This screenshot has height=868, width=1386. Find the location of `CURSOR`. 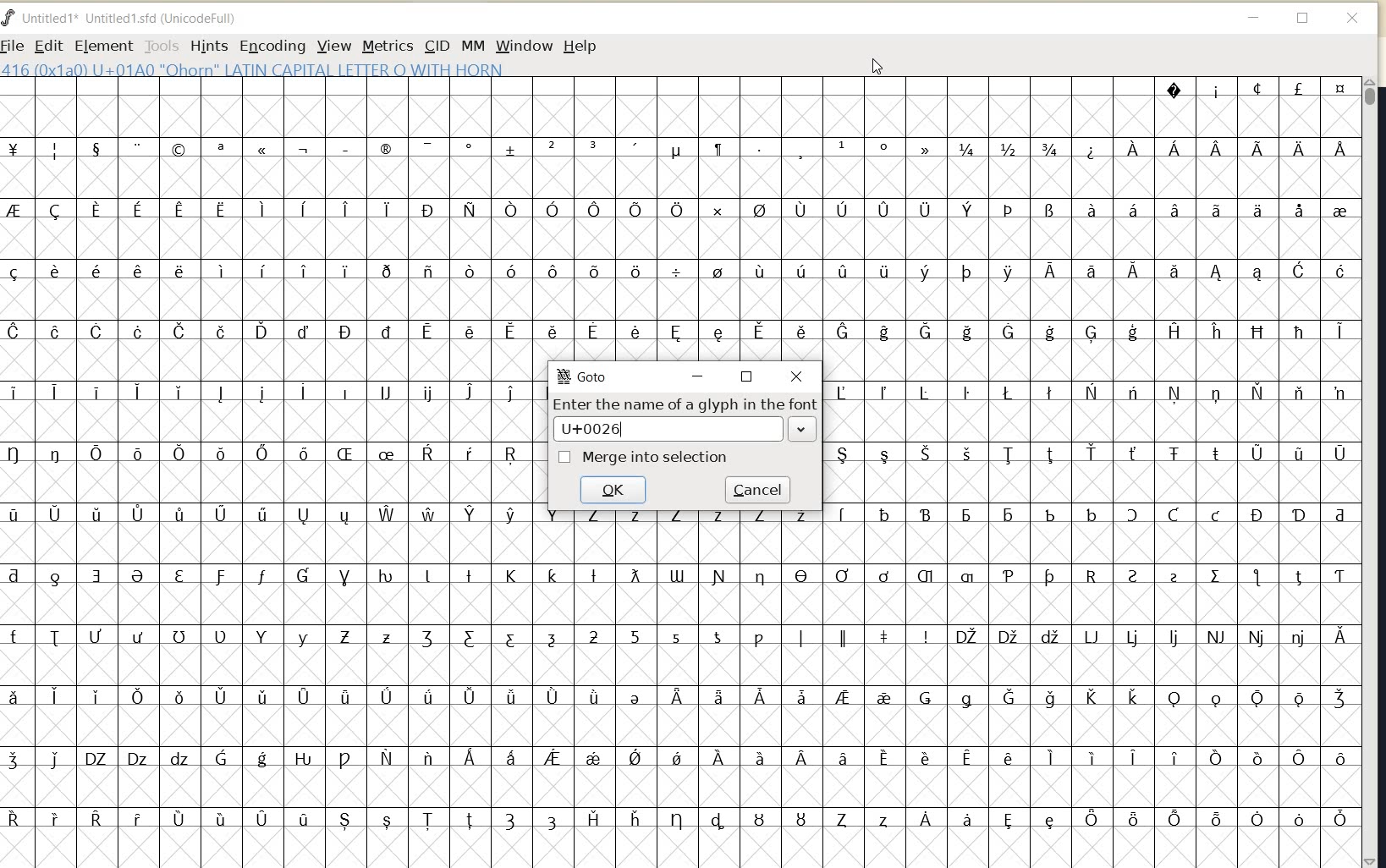

CURSOR is located at coordinates (877, 66).